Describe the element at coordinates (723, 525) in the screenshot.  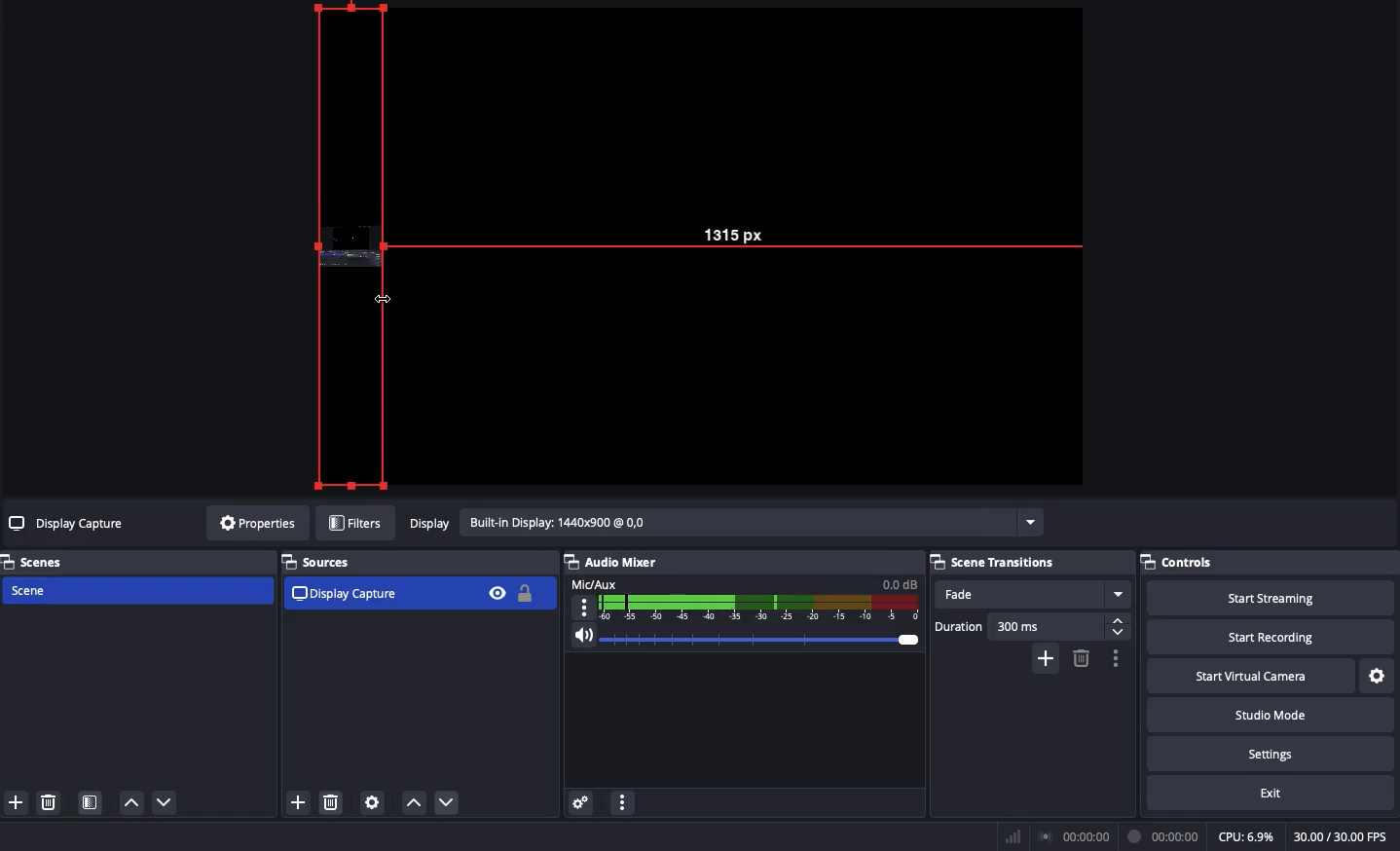
I see `Display` at that location.